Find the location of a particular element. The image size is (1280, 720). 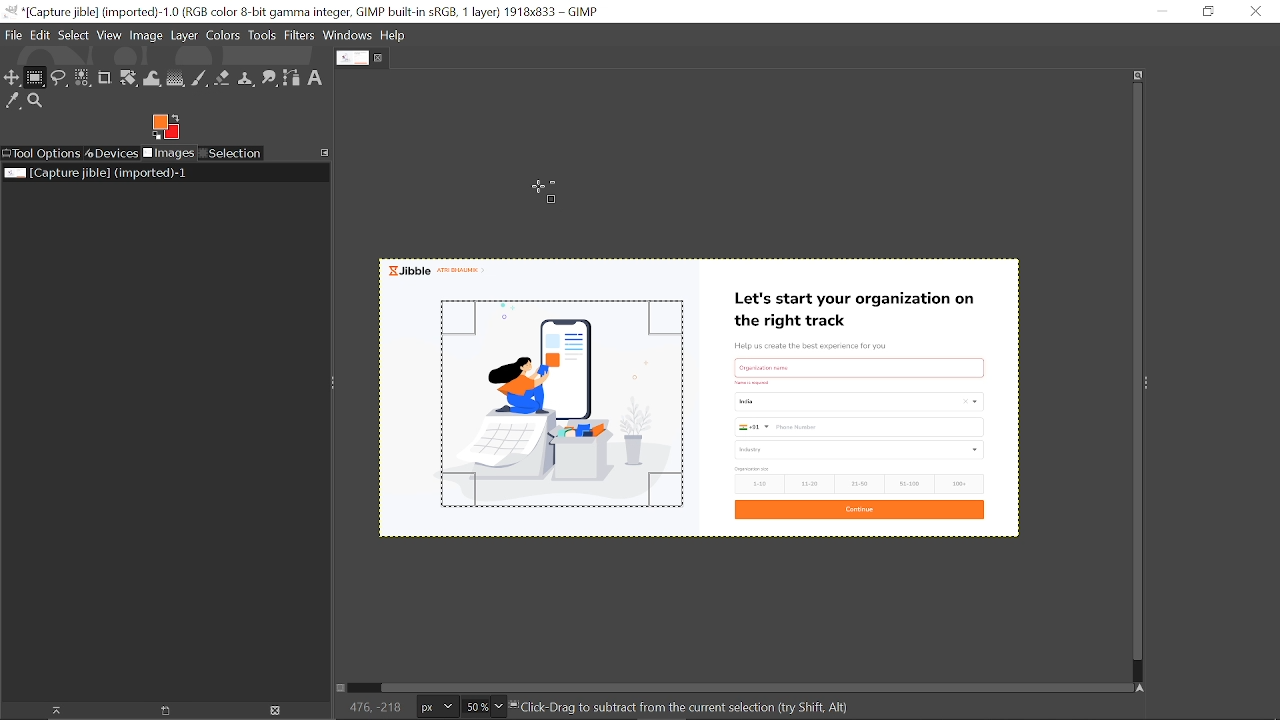

Minimize is located at coordinates (1161, 12).